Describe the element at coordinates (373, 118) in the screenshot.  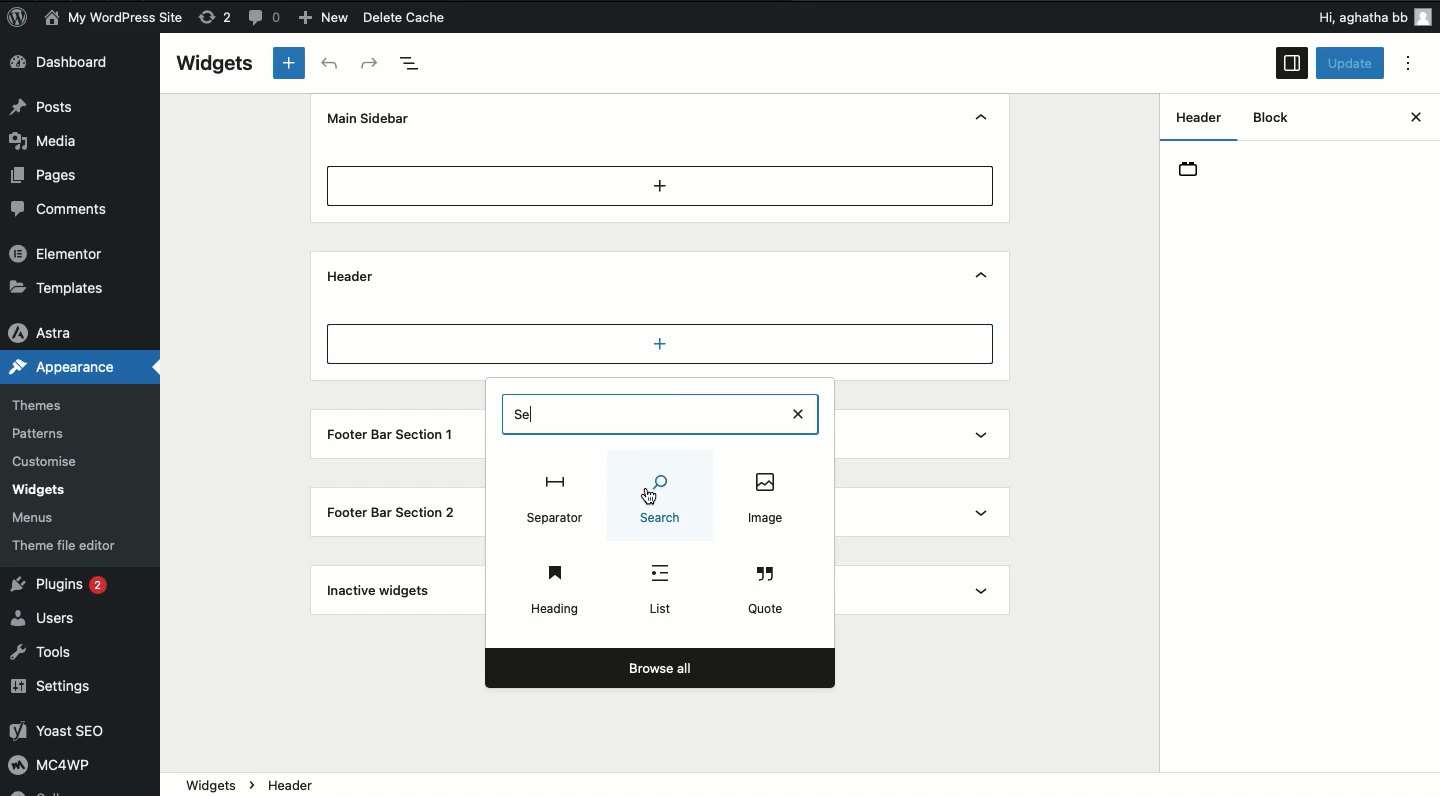
I see `Main sidebar` at that location.